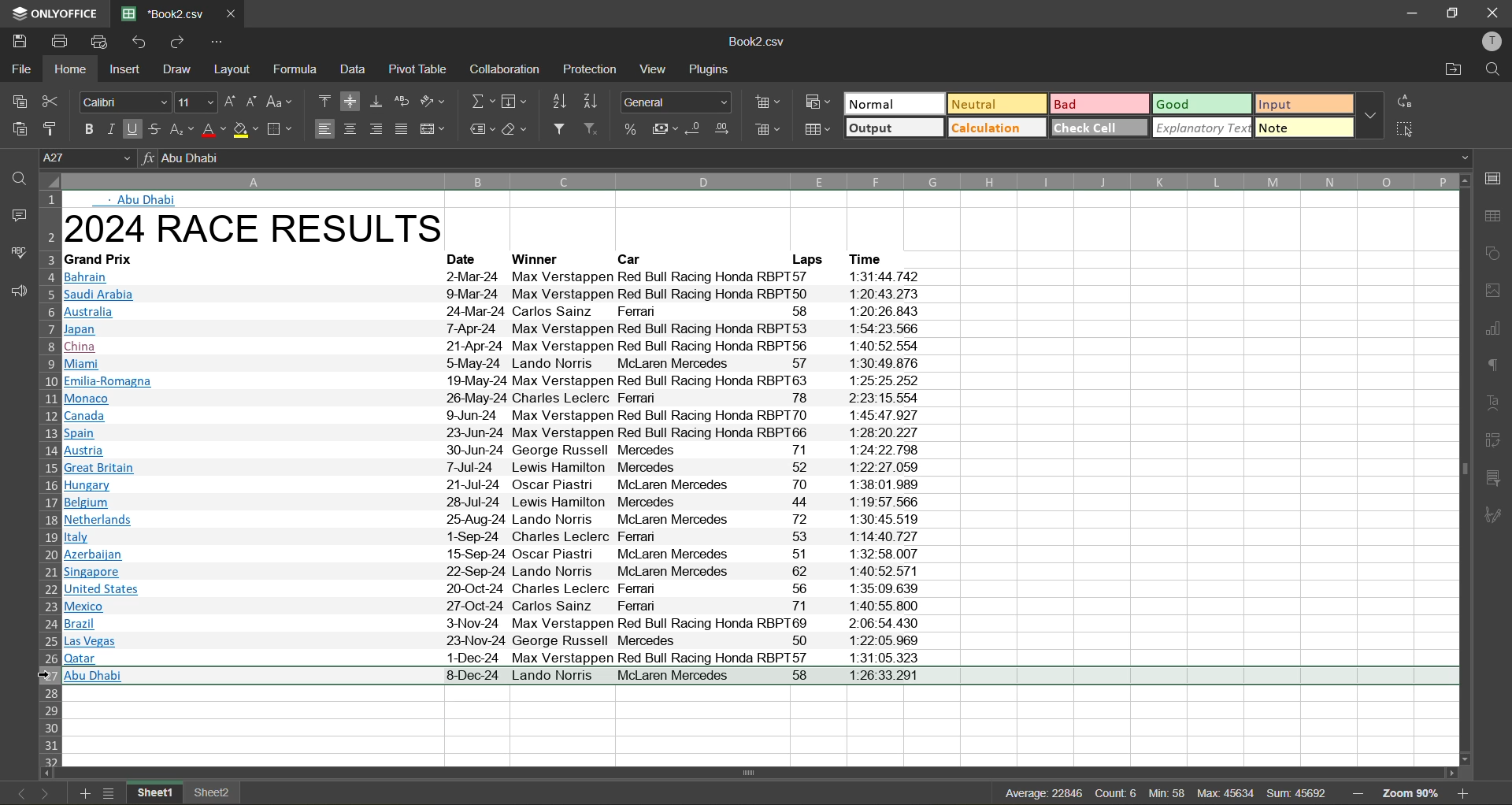 The image size is (1512, 805). Describe the element at coordinates (133, 131) in the screenshot. I see `underline` at that location.